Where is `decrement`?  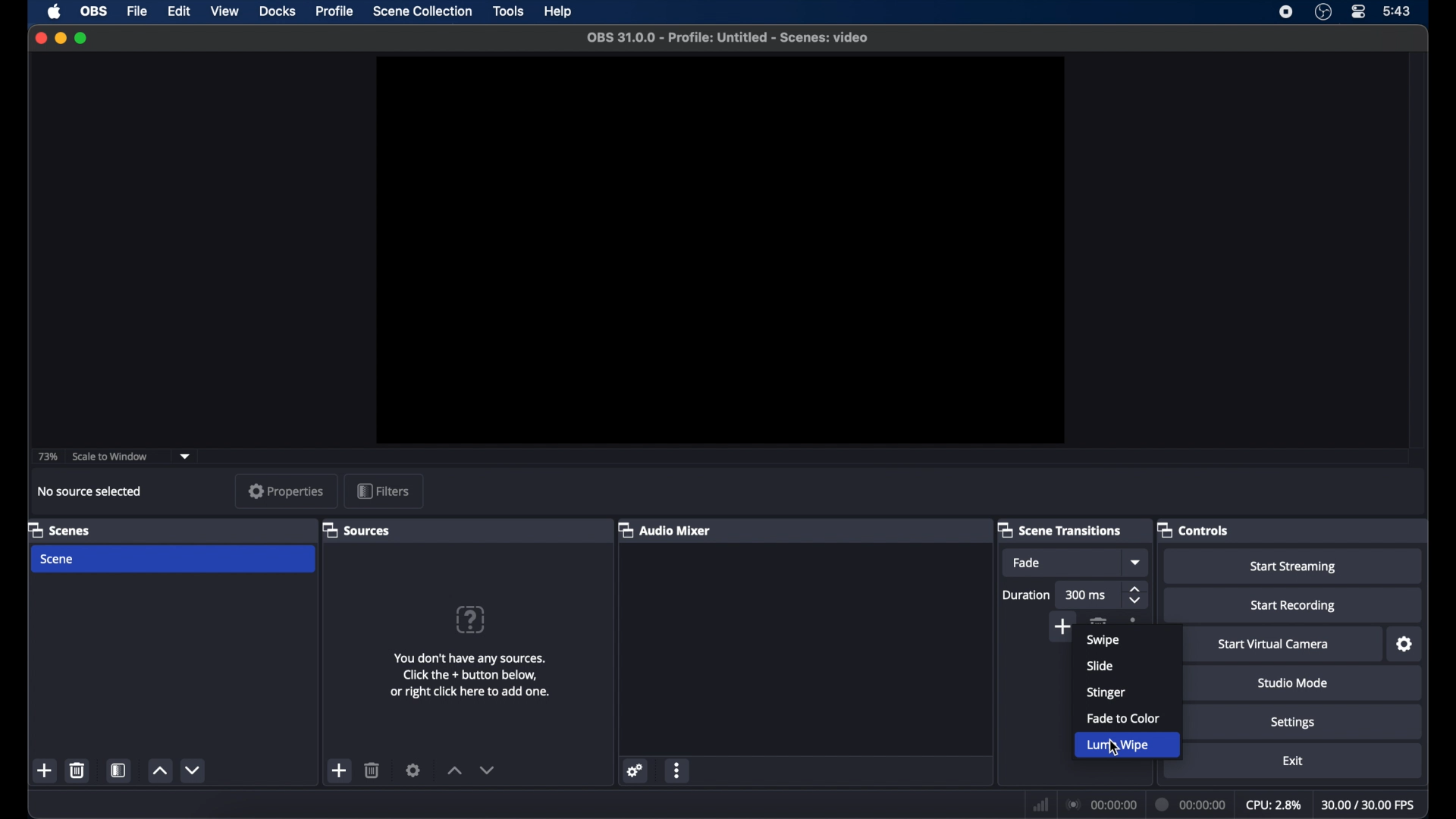 decrement is located at coordinates (490, 770).